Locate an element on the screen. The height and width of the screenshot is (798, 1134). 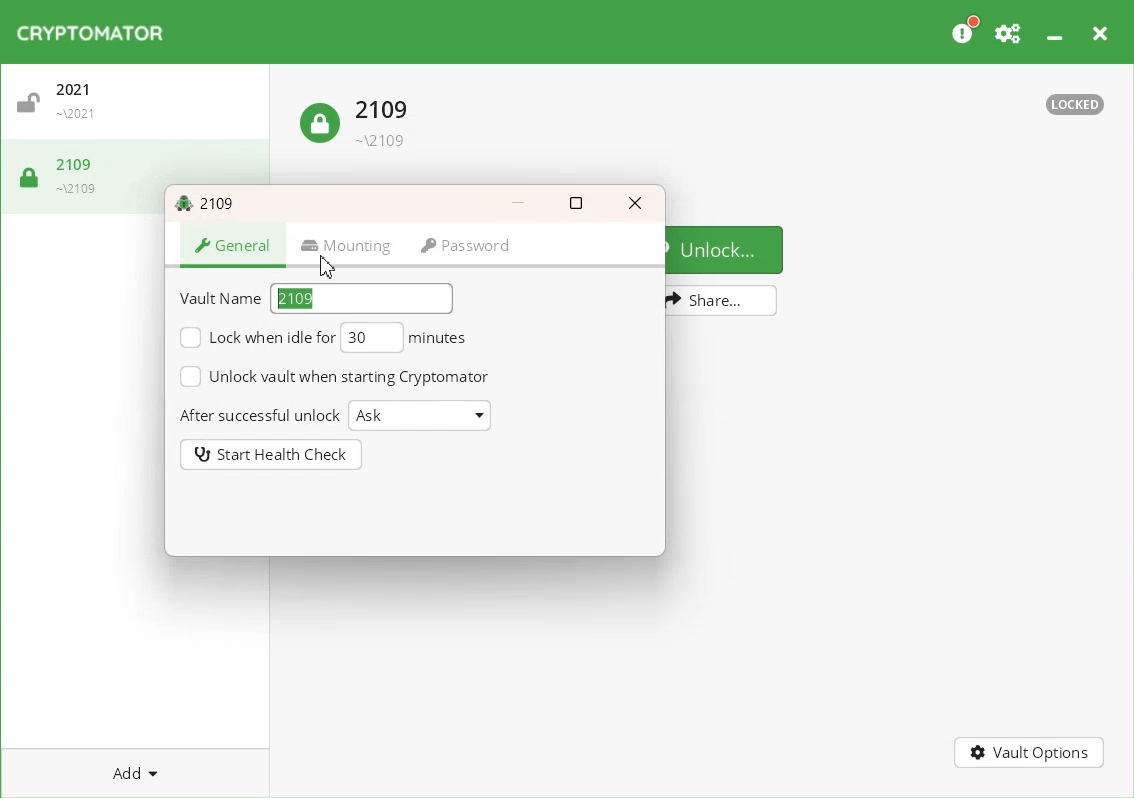
Minimize is located at coordinates (519, 202).